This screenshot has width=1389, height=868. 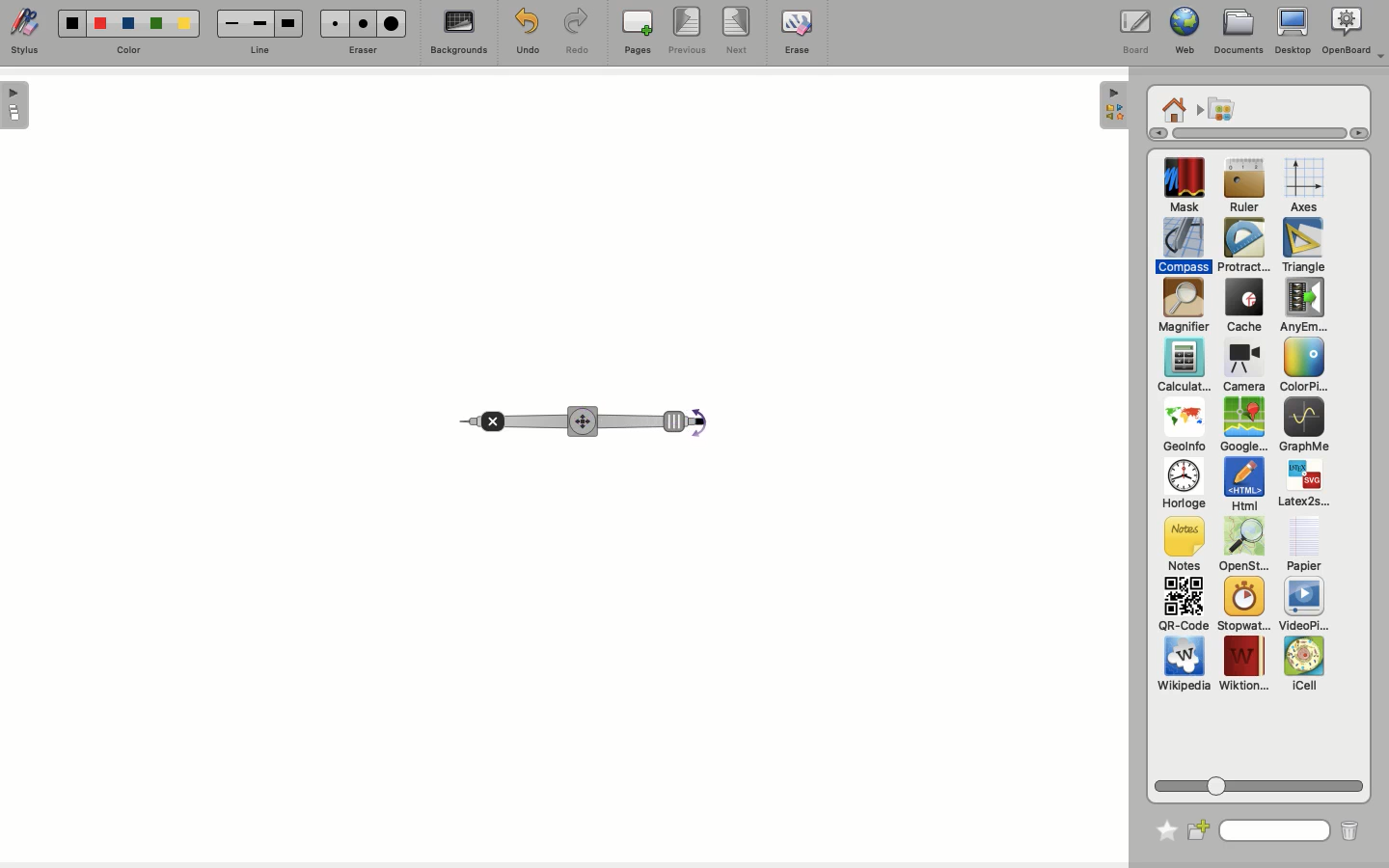 What do you see at coordinates (1181, 545) in the screenshot?
I see `Notes` at bounding box center [1181, 545].